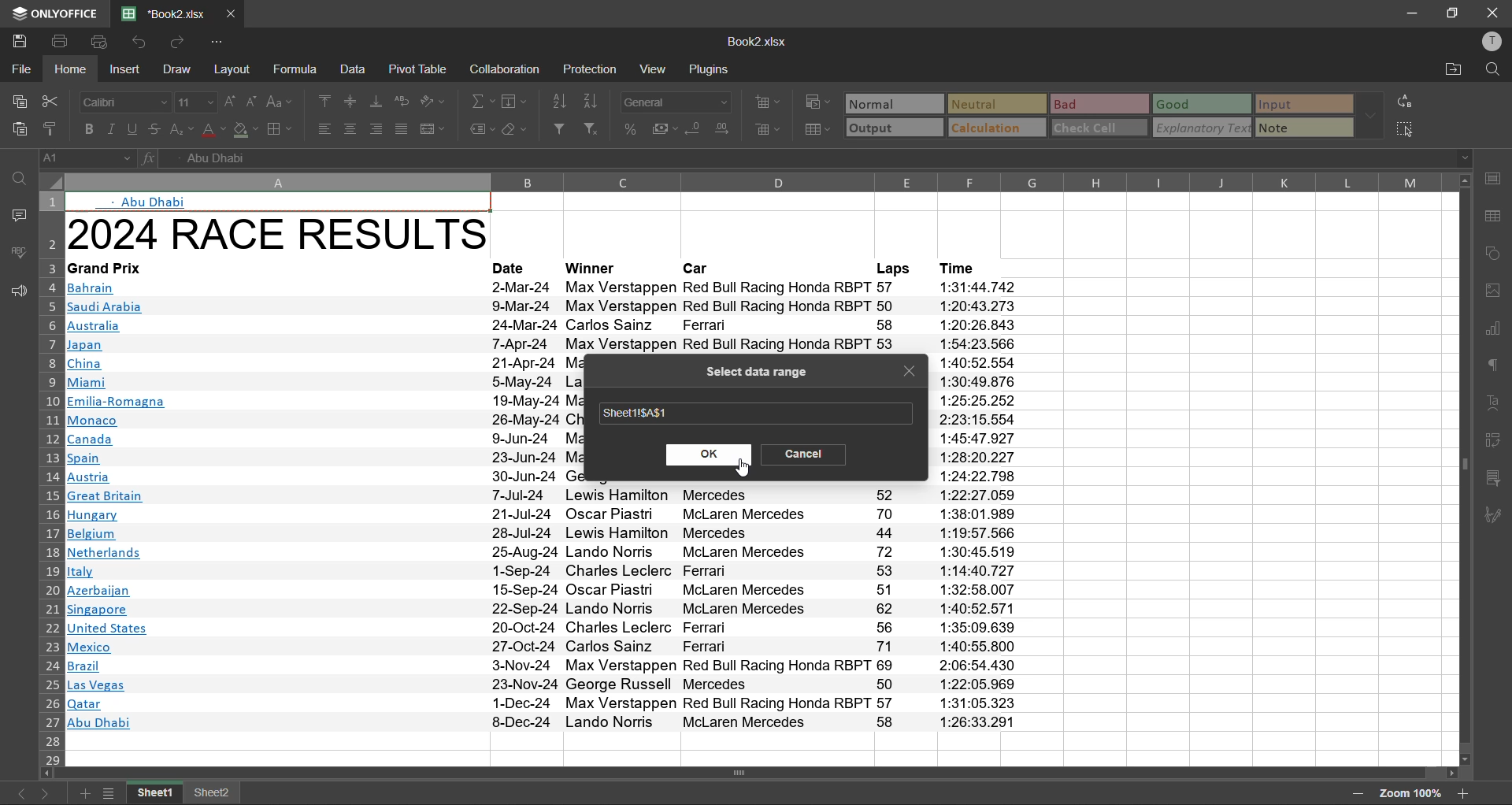 The image size is (1512, 805). What do you see at coordinates (482, 100) in the screenshot?
I see `summation` at bounding box center [482, 100].